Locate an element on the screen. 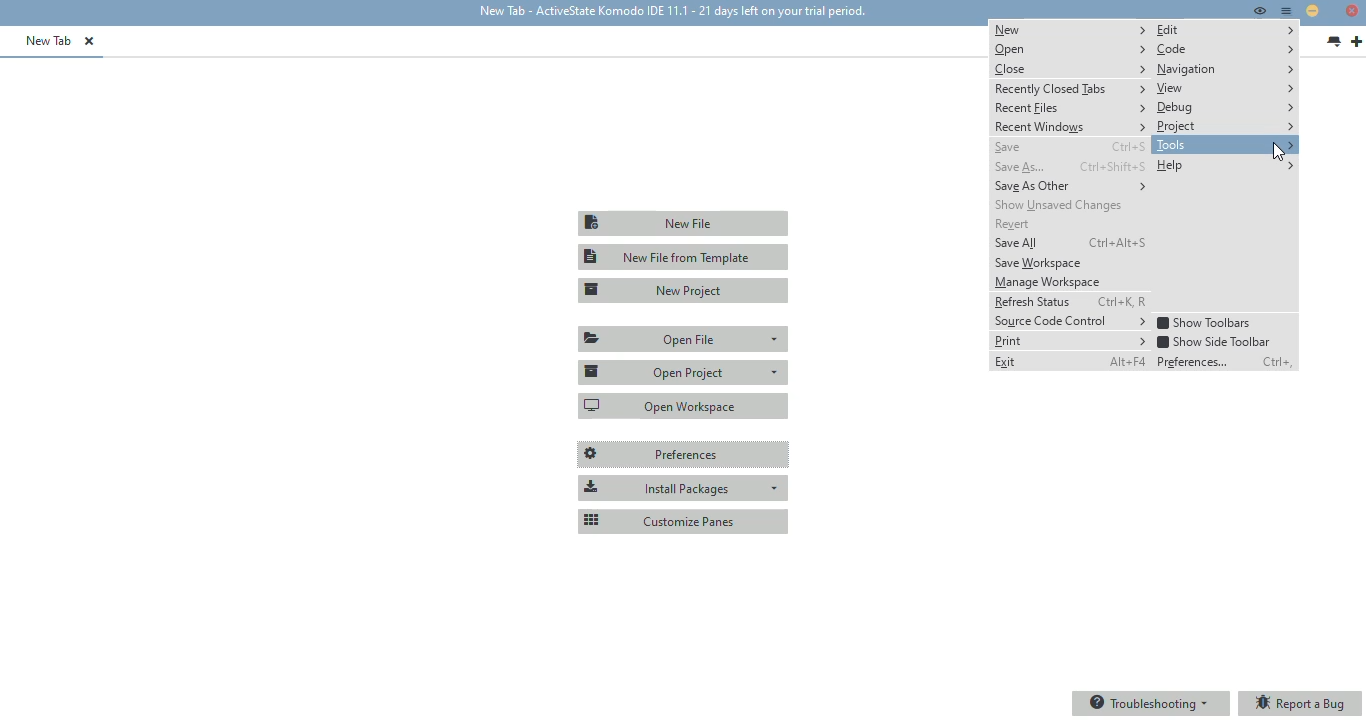 The image size is (1366, 720). debug is located at coordinates (1225, 108).